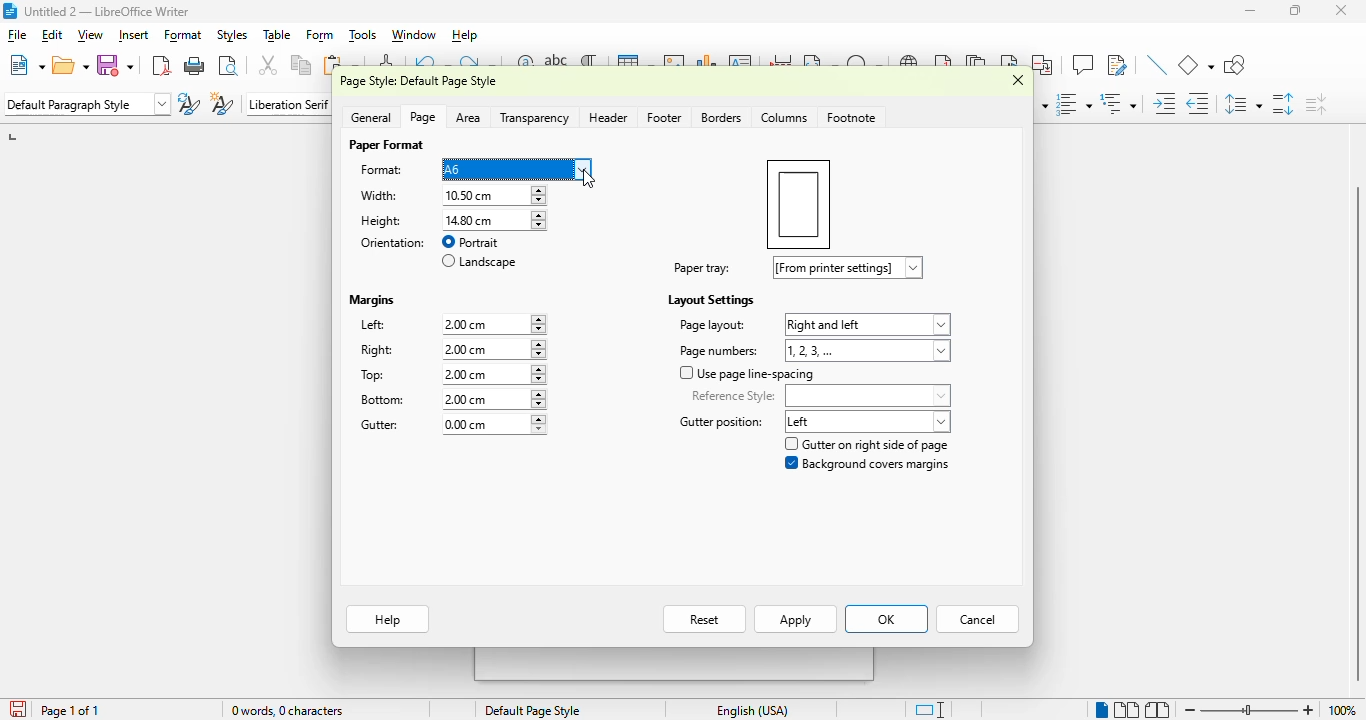 The width and height of the screenshot is (1366, 720). Describe the element at coordinates (18, 34) in the screenshot. I see `file` at that location.